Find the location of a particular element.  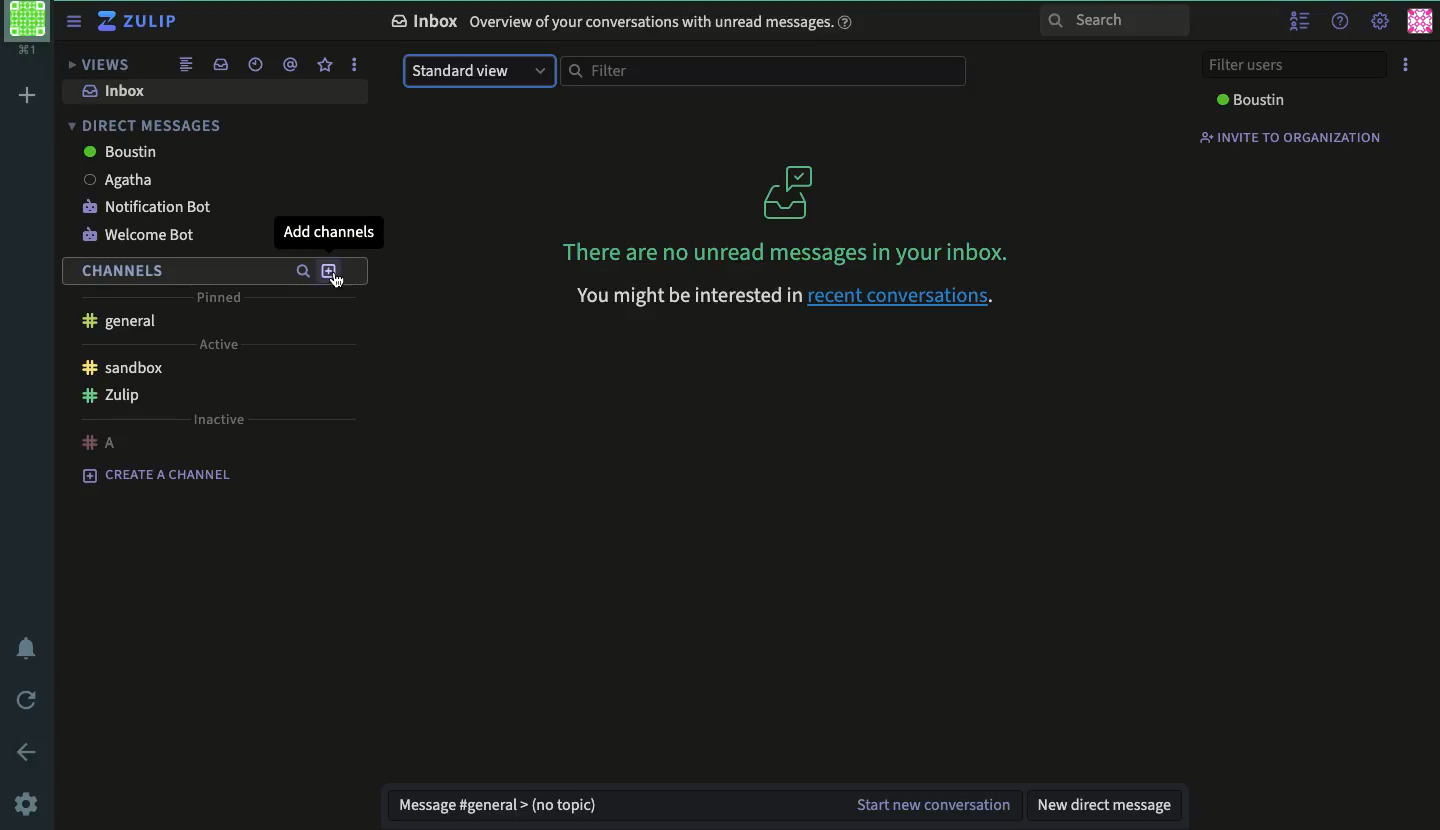

‘You might be interested in recent conversations. is located at coordinates (787, 298).